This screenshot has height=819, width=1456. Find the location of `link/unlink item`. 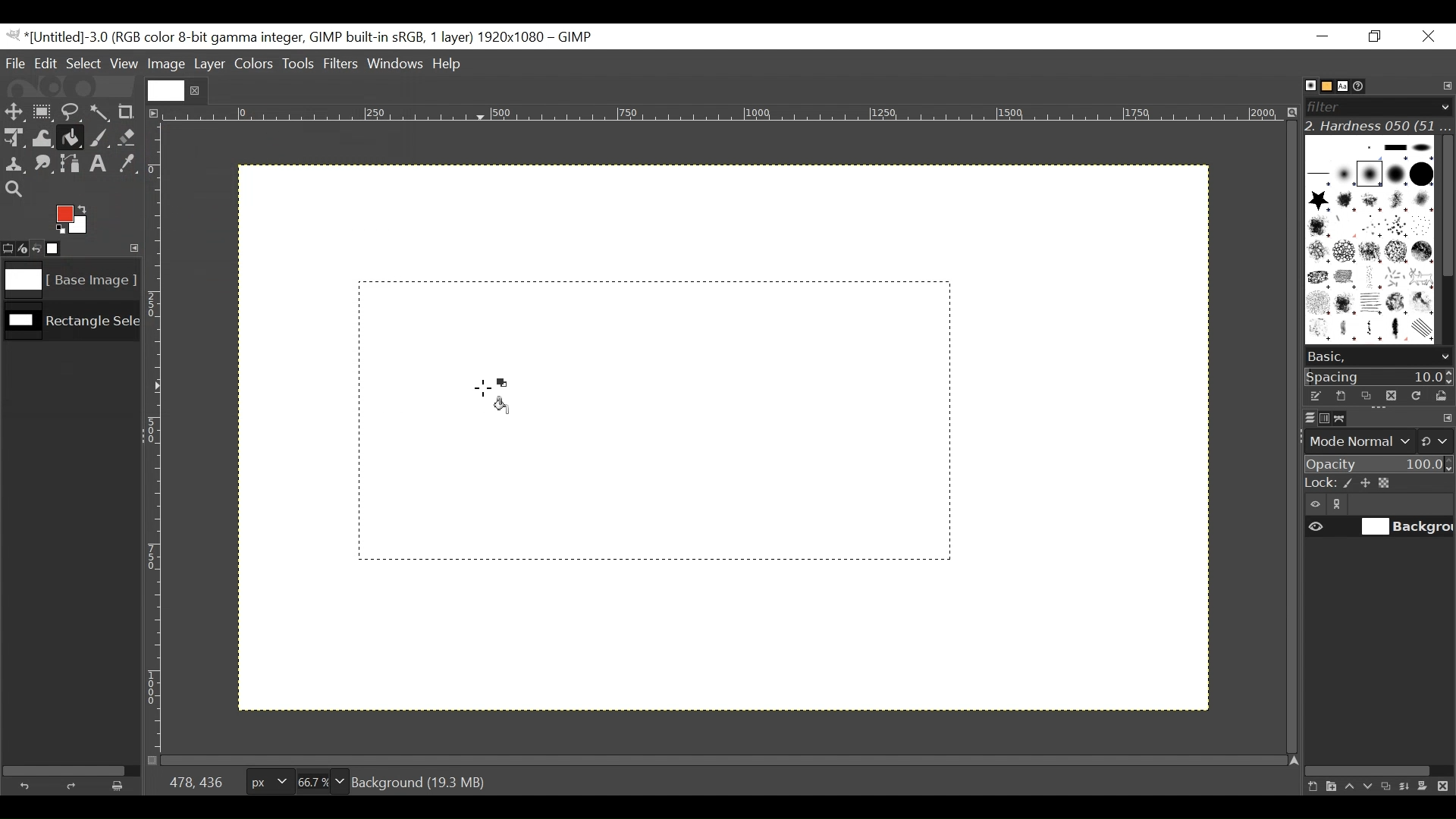

link/unlink item is located at coordinates (1341, 507).